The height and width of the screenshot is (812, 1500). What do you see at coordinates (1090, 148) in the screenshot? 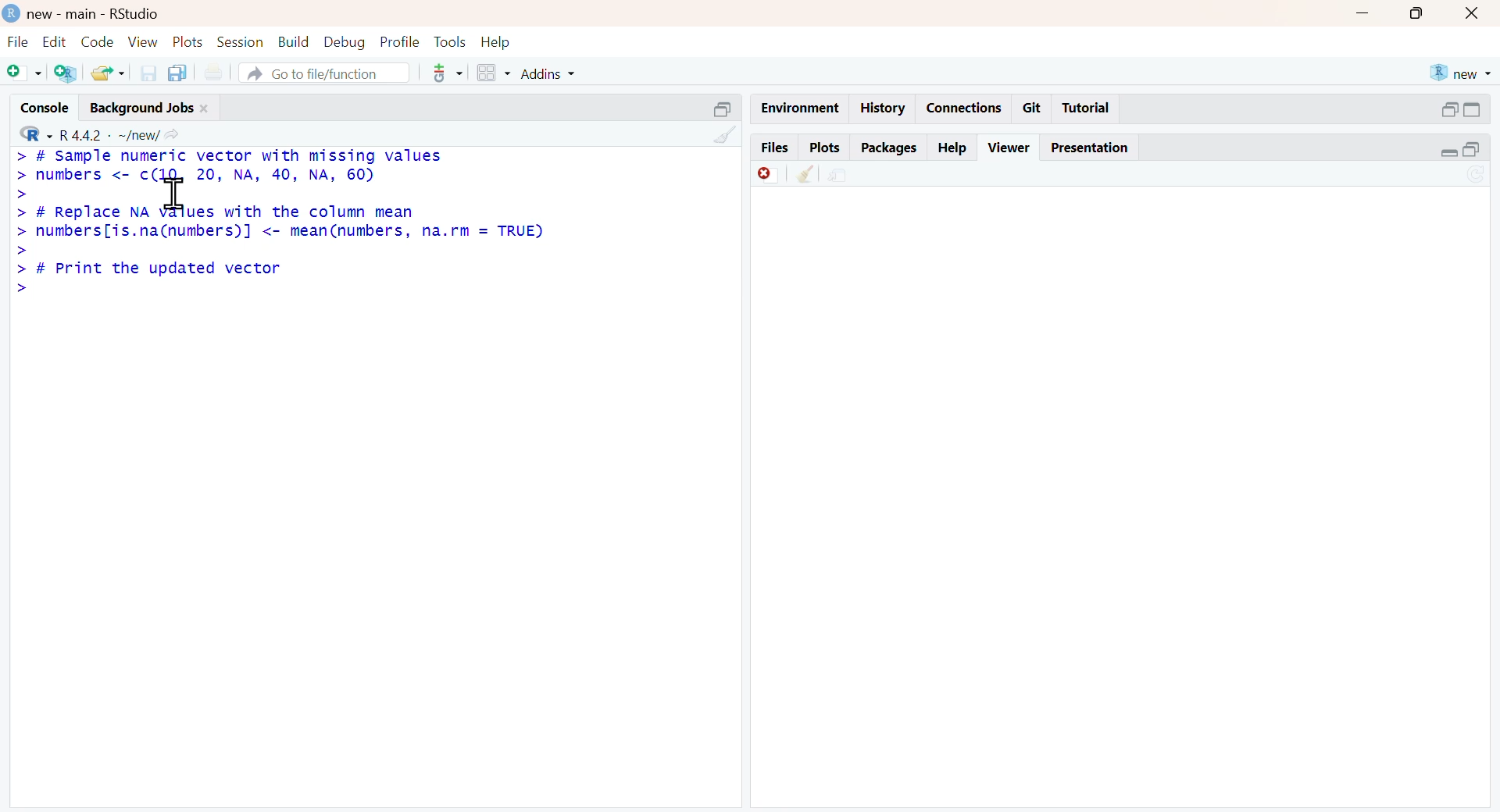
I see `presentation` at bounding box center [1090, 148].